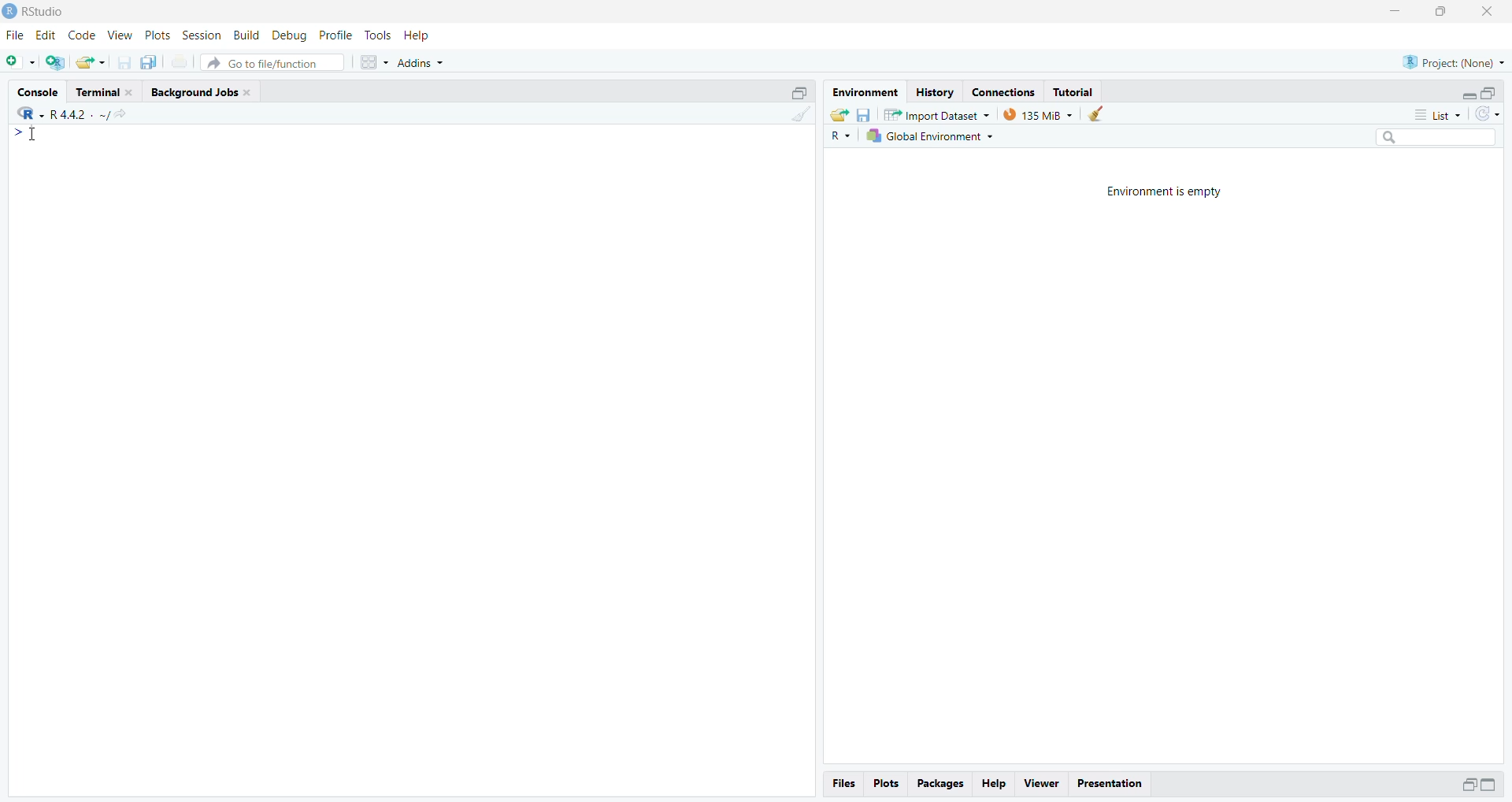  What do you see at coordinates (1395, 12) in the screenshot?
I see `Minimize` at bounding box center [1395, 12].